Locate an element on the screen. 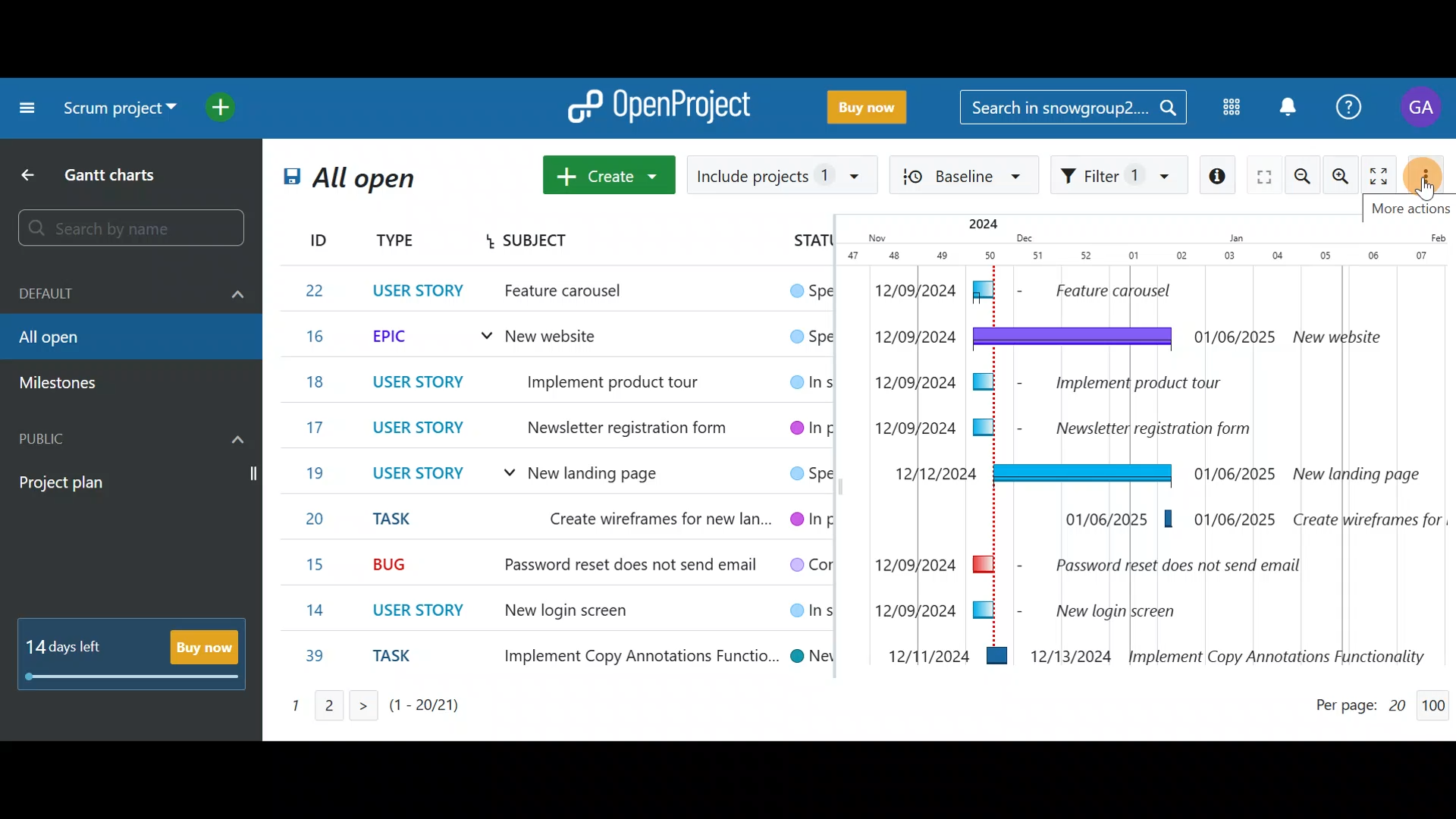 The width and height of the screenshot is (1456, 819). Zoom out is located at coordinates (1305, 177).